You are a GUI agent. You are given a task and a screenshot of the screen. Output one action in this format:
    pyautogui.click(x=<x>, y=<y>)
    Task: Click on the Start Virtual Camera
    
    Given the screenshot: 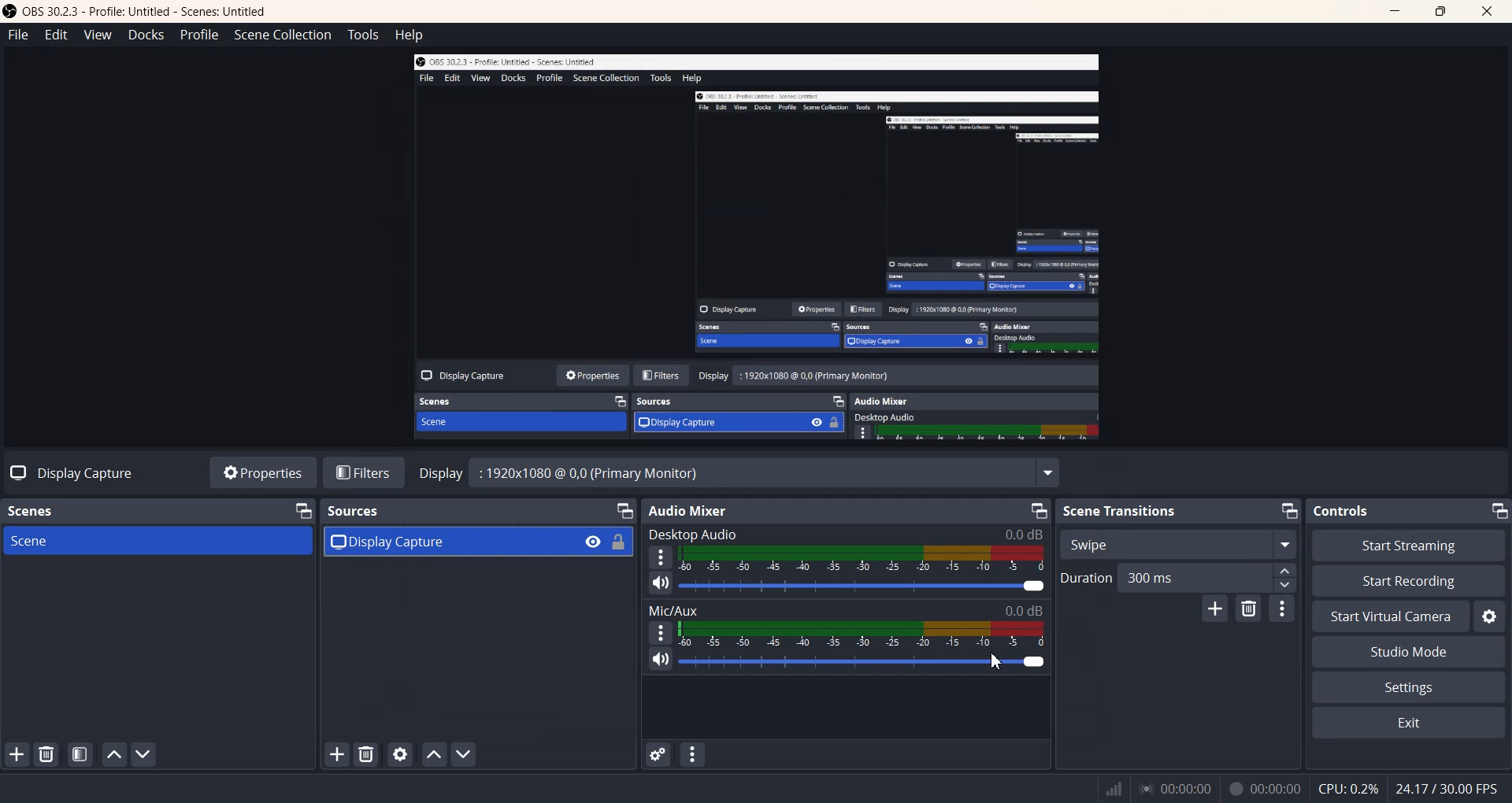 What is the action you would take?
    pyautogui.click(x=1390, y=616)
    